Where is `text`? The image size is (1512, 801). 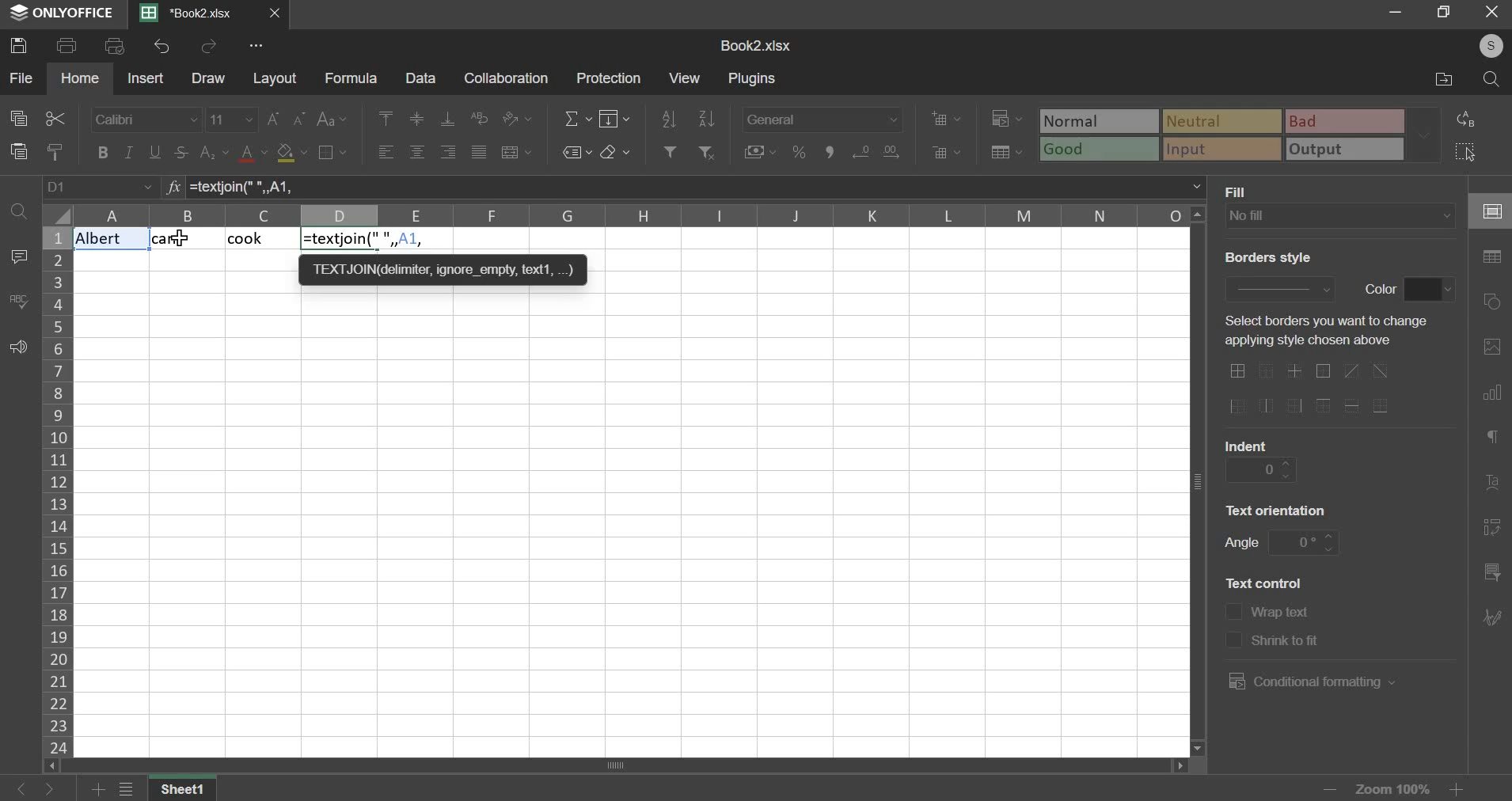
text is located at coordinates (1264, 582).